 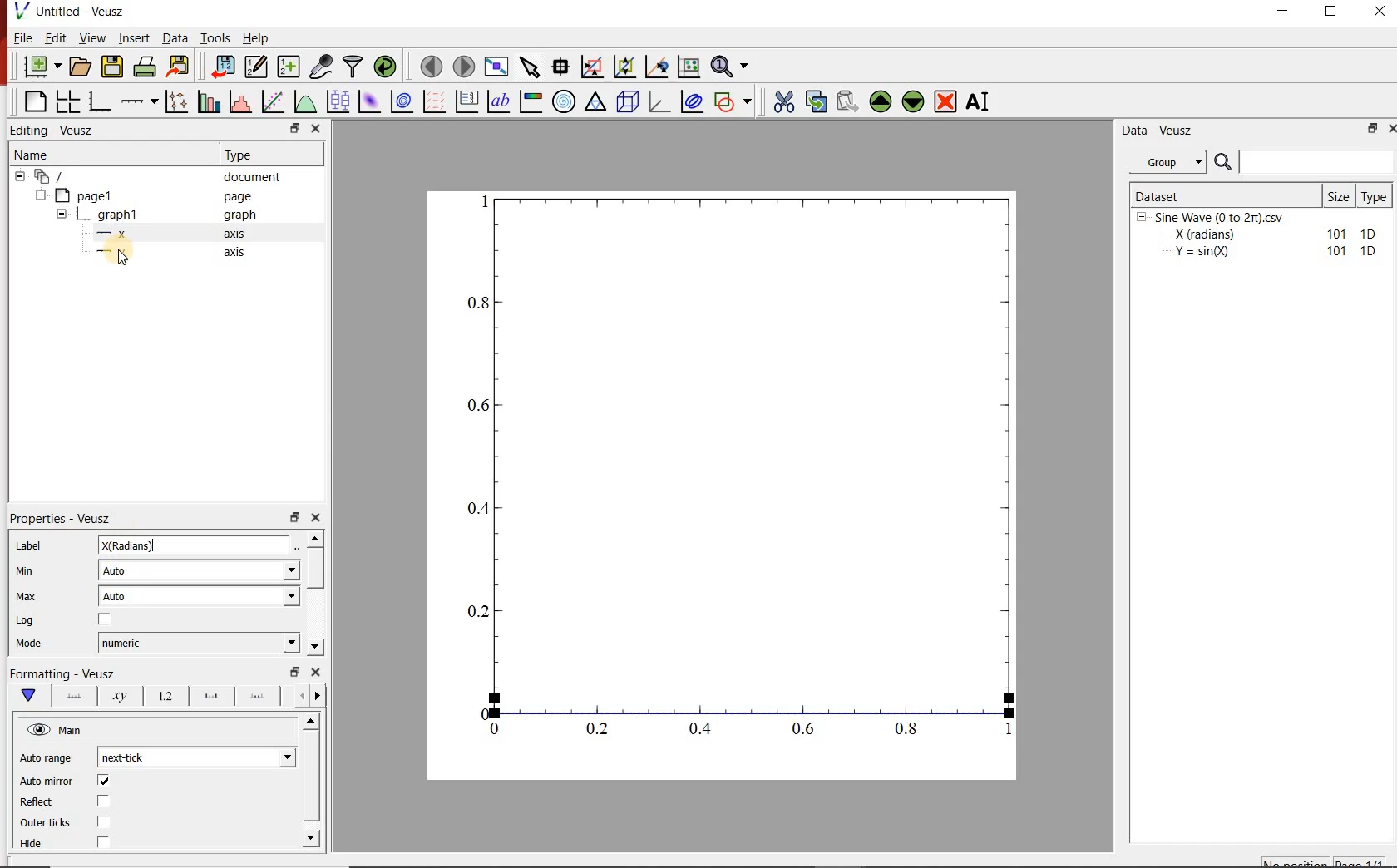 I want to click on Sine Wave (0 to 2m).csvX (radians) 101 1DY =sin(Q) 101 1D, so click(x=1258, y=239).